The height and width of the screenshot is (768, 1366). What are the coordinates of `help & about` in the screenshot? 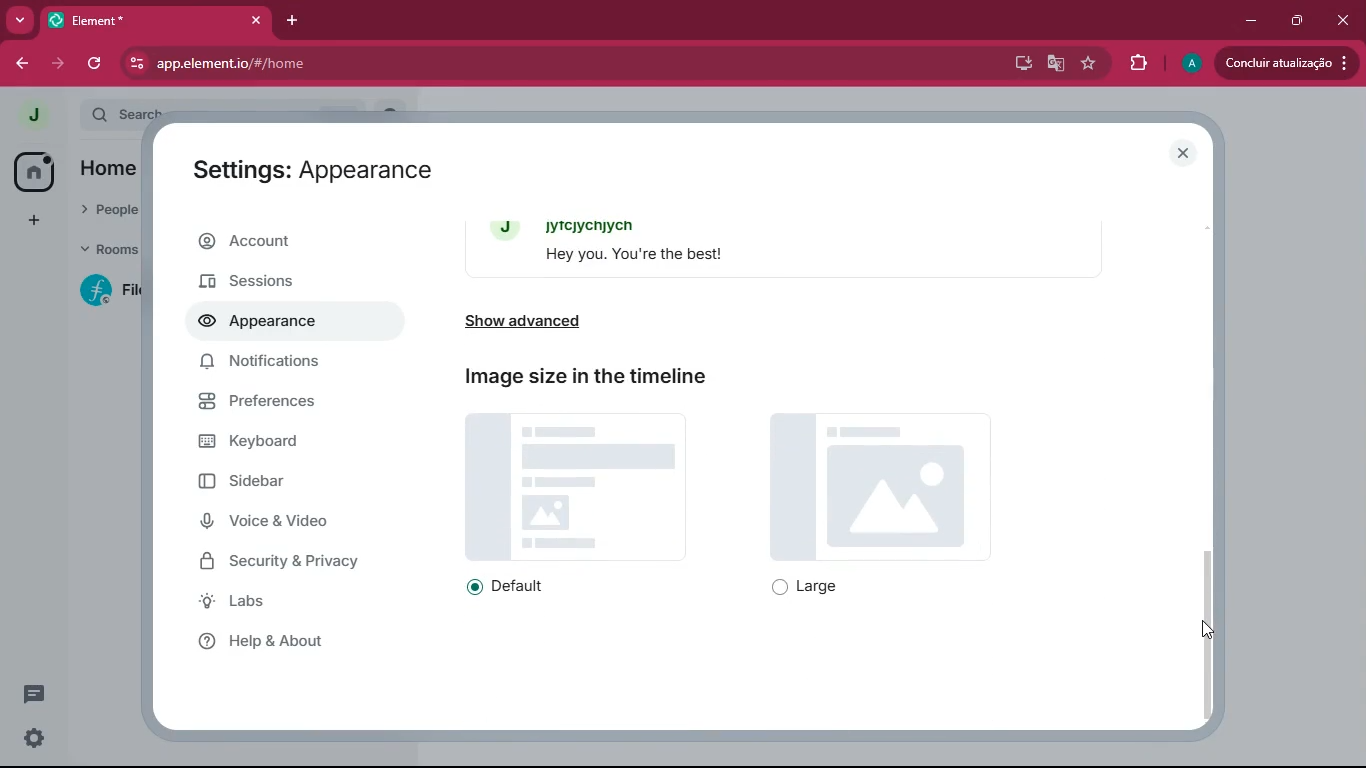 It's located at (279, 641).